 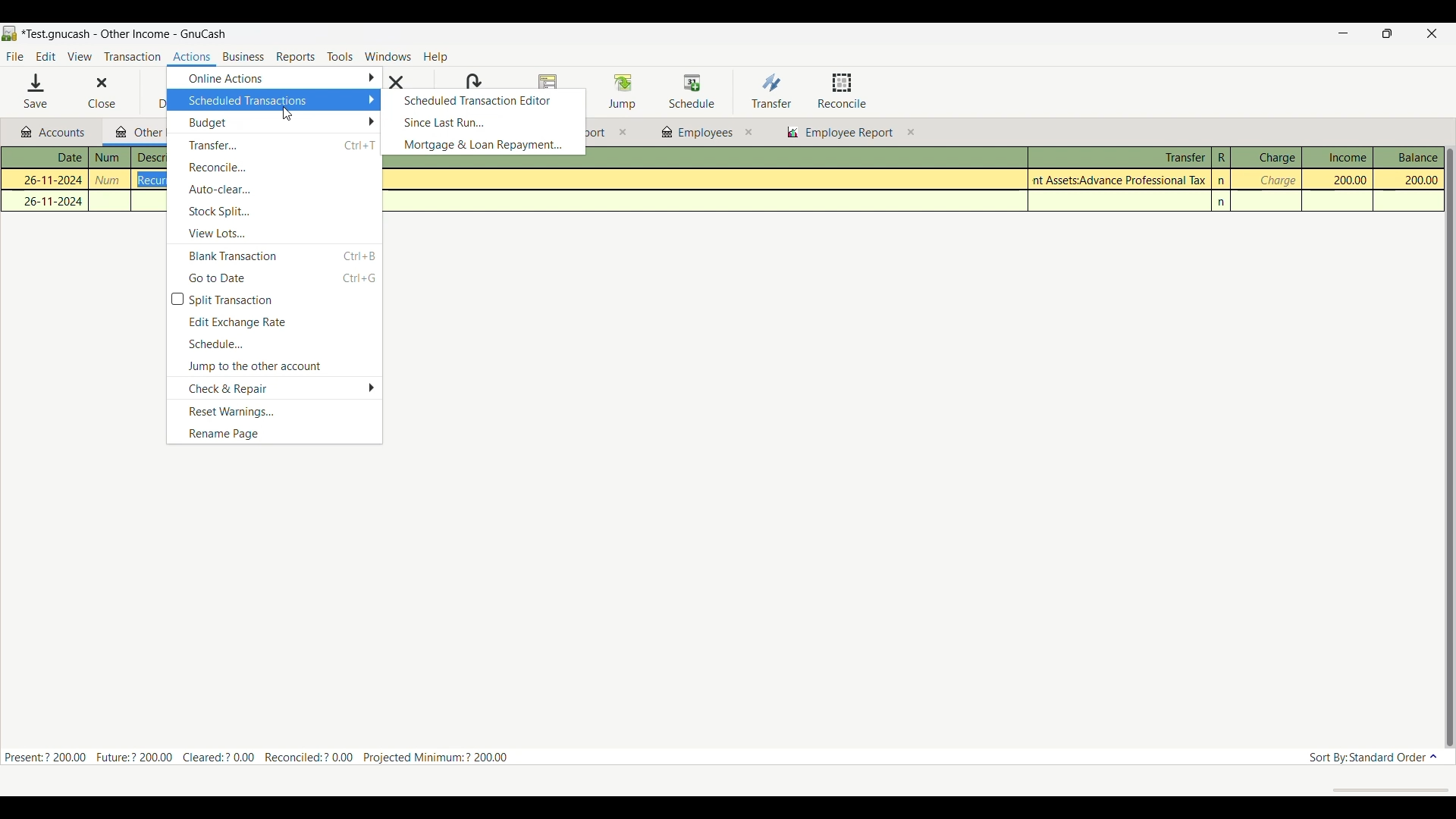 What do you see at coordinates (1382, 789) in the screenshot?
I see `scroll` at bounding box center [1382, 789].